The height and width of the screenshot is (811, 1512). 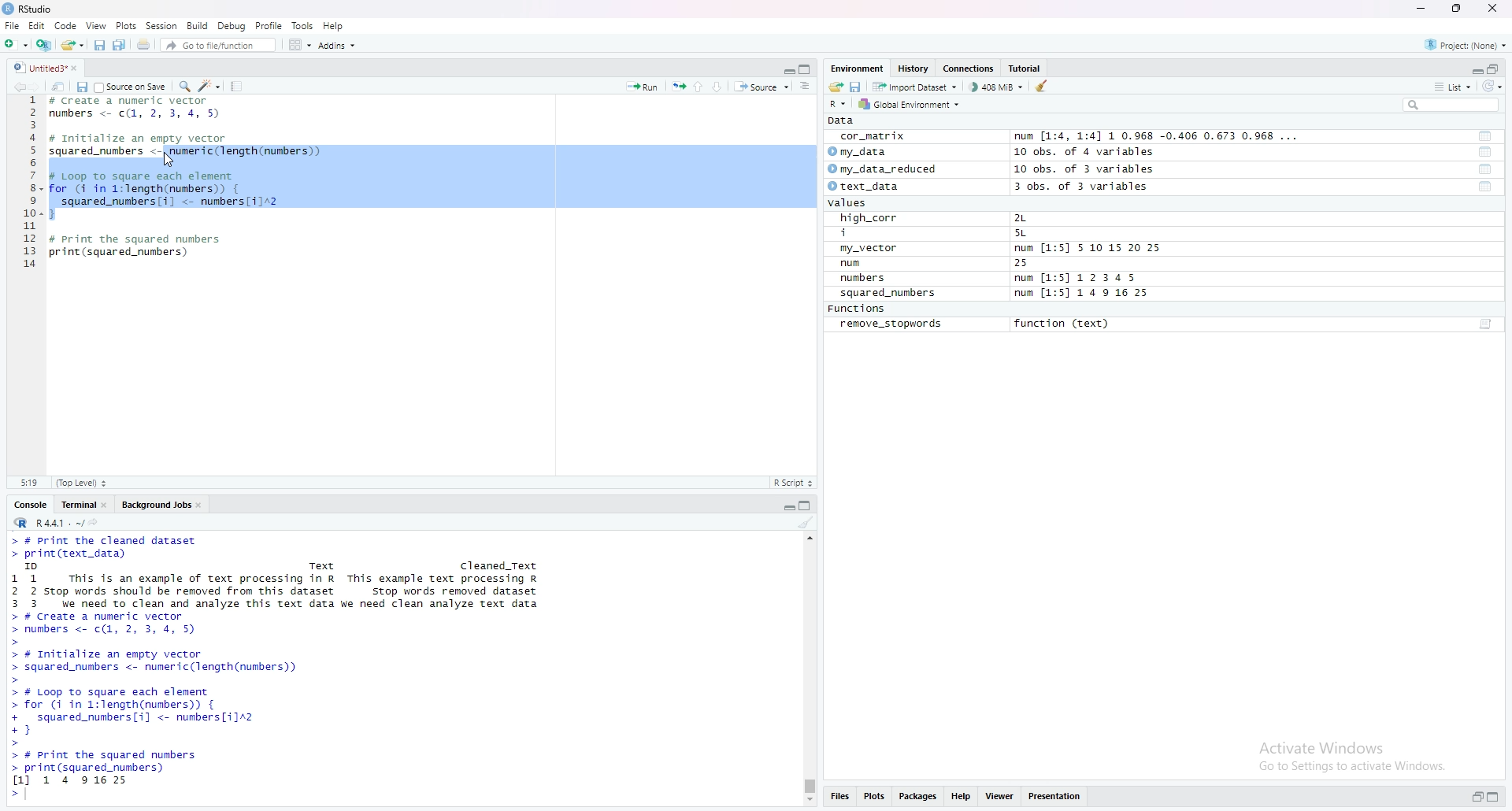 I want to click on num [1:5] 1 4 9 16 25, so click(x=1083, y=294).